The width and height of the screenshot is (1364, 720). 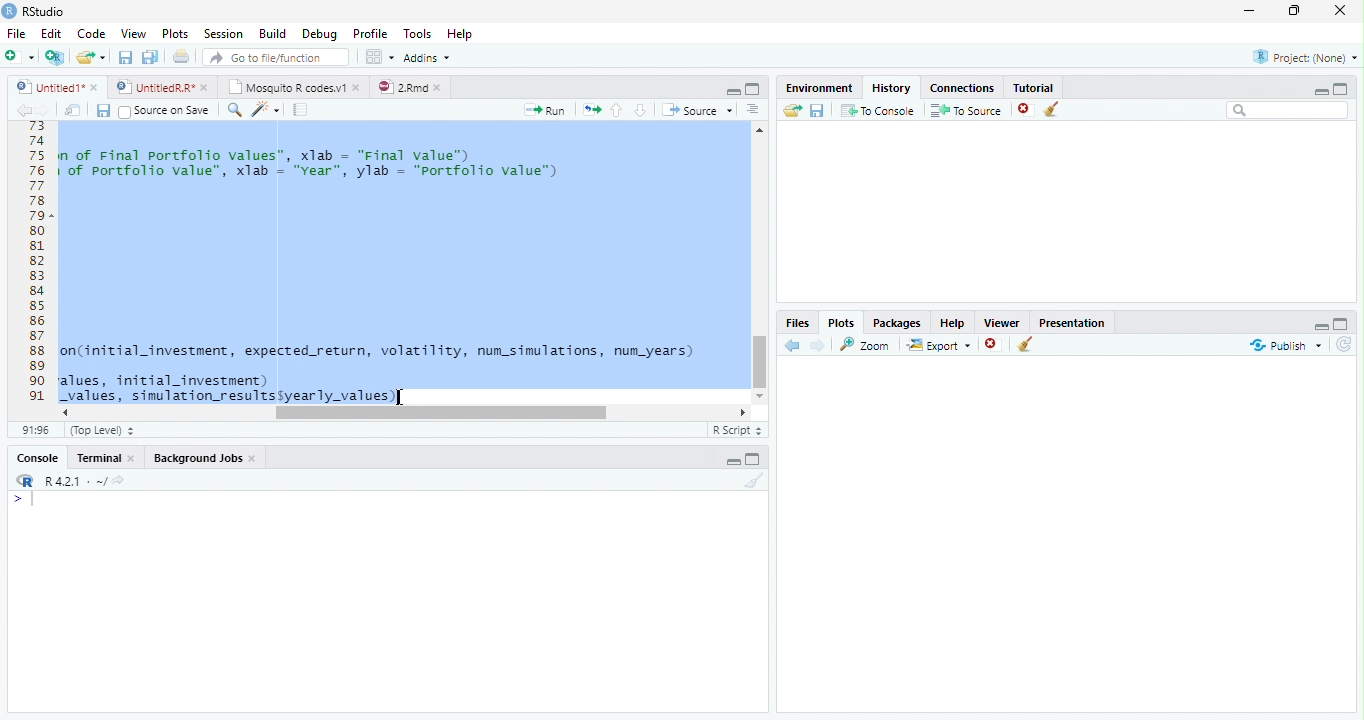 I want to click on Project: (None), so click(x=1301, y=58).